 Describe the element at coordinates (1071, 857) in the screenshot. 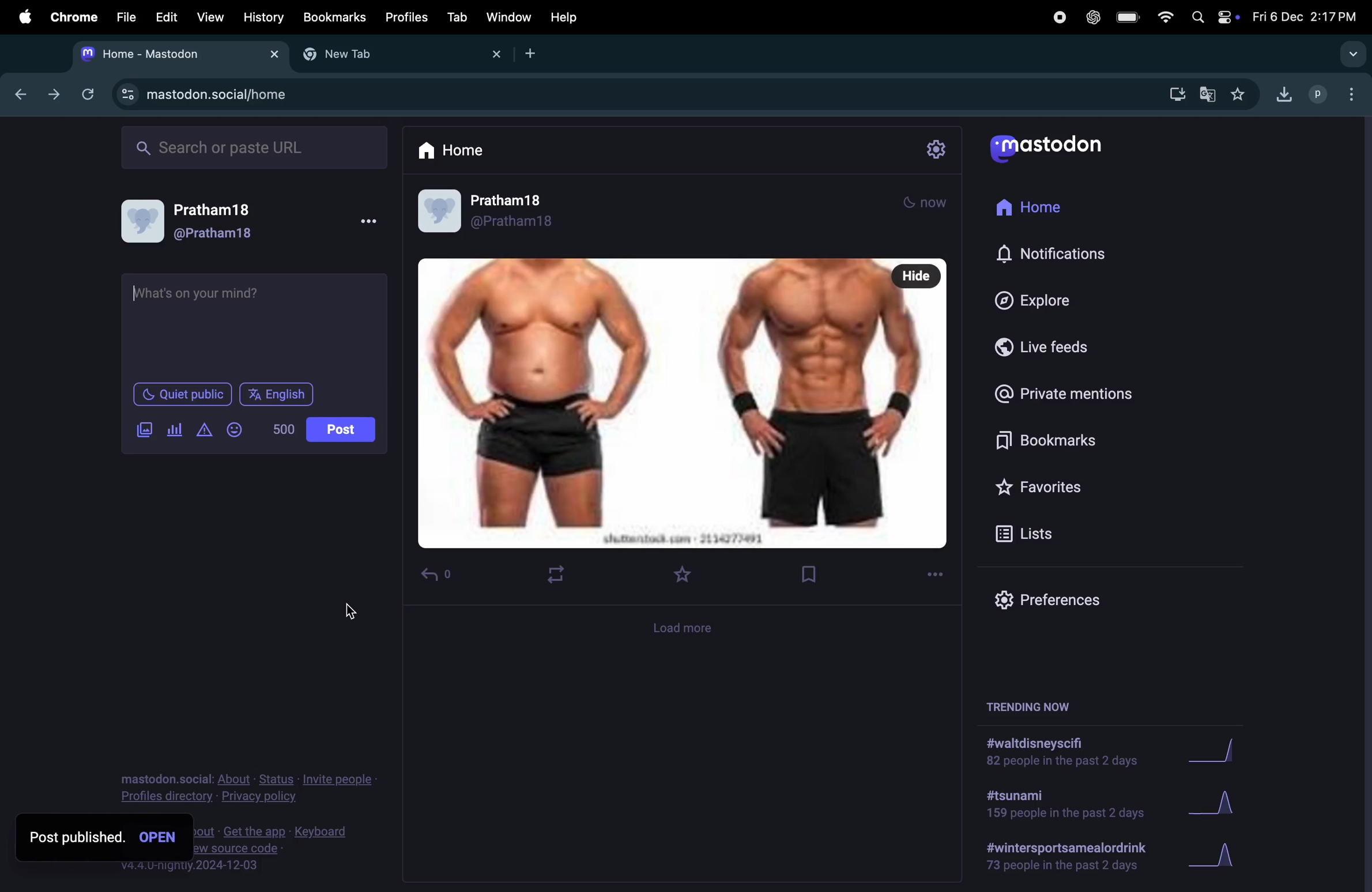

I see `#wintersportmeal drink` at that location.